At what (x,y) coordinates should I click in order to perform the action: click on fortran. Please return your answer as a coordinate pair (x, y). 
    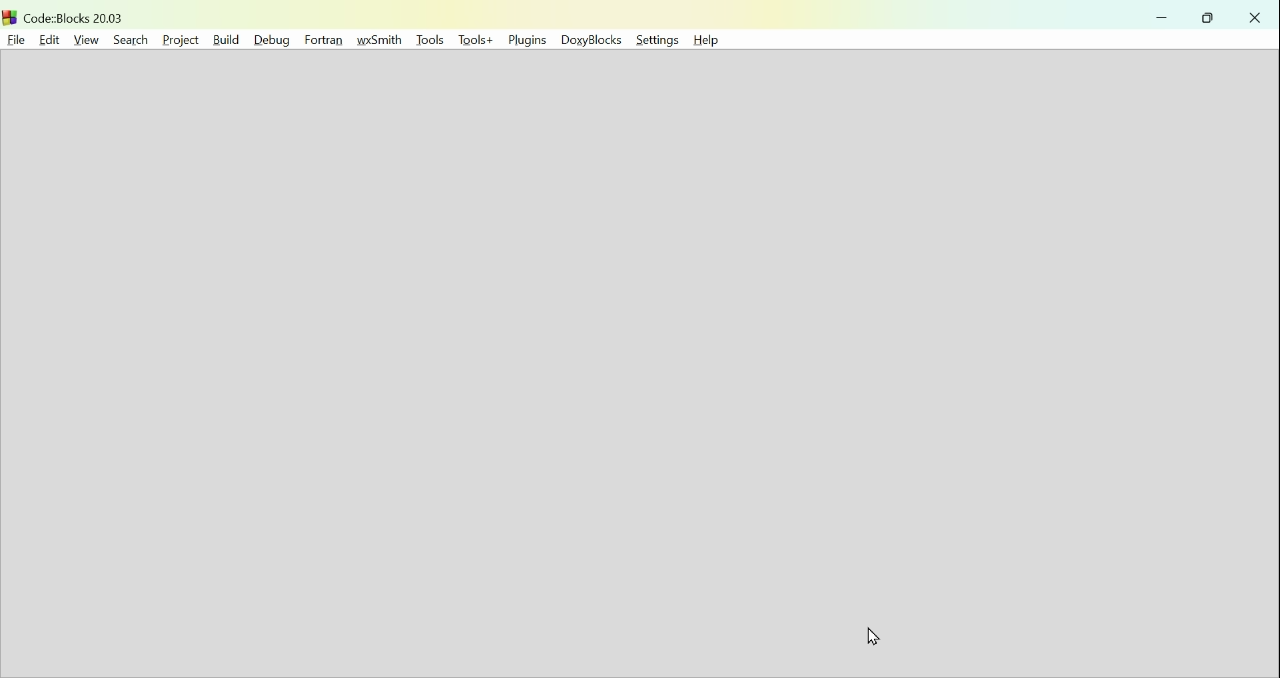
    Looking at the image, I should click on (322, 39).